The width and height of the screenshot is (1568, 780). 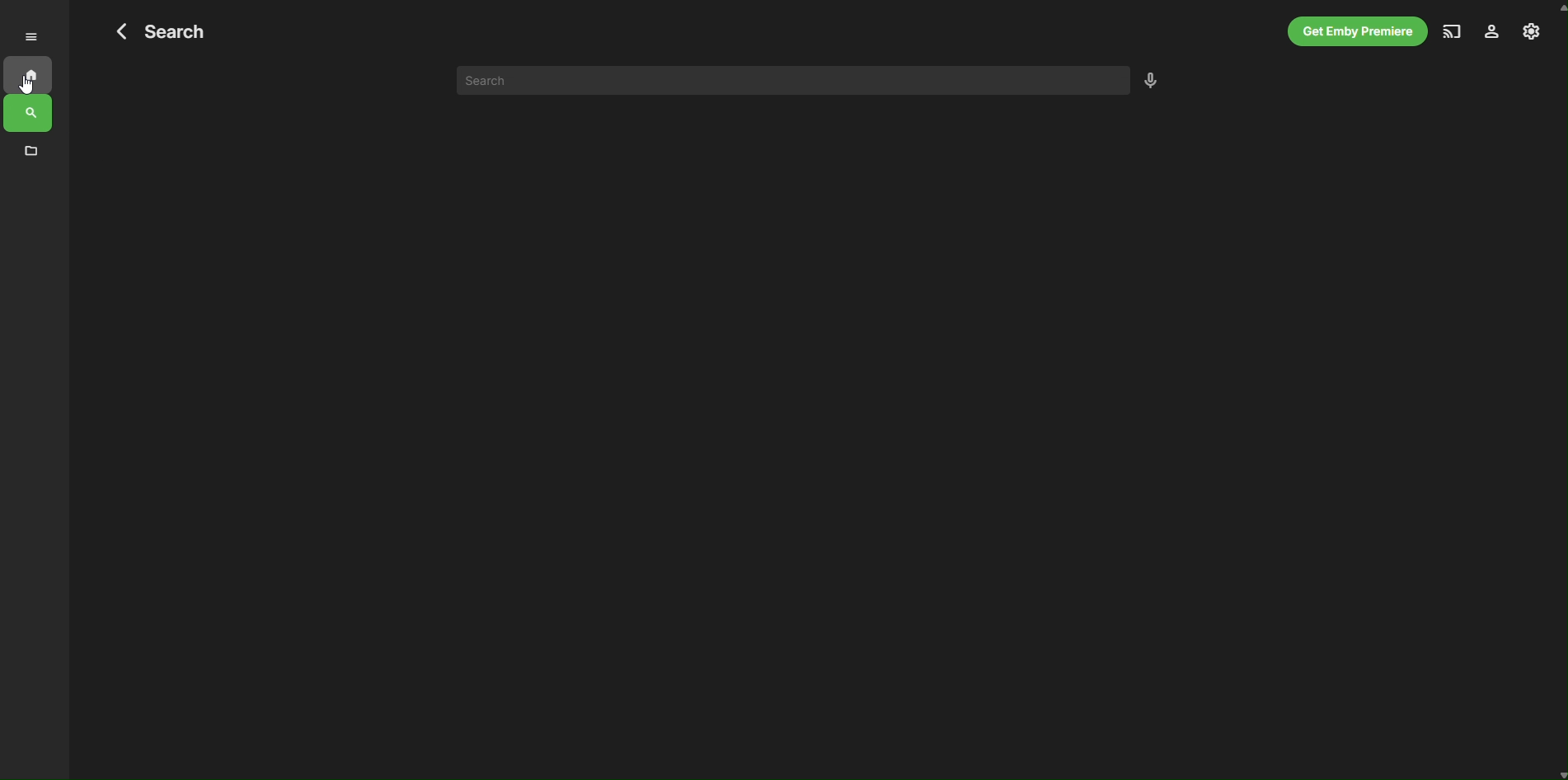 What do you see at coordinates (781, 80) in the screenshot?
I see `search` at bounding box center [781, 80].